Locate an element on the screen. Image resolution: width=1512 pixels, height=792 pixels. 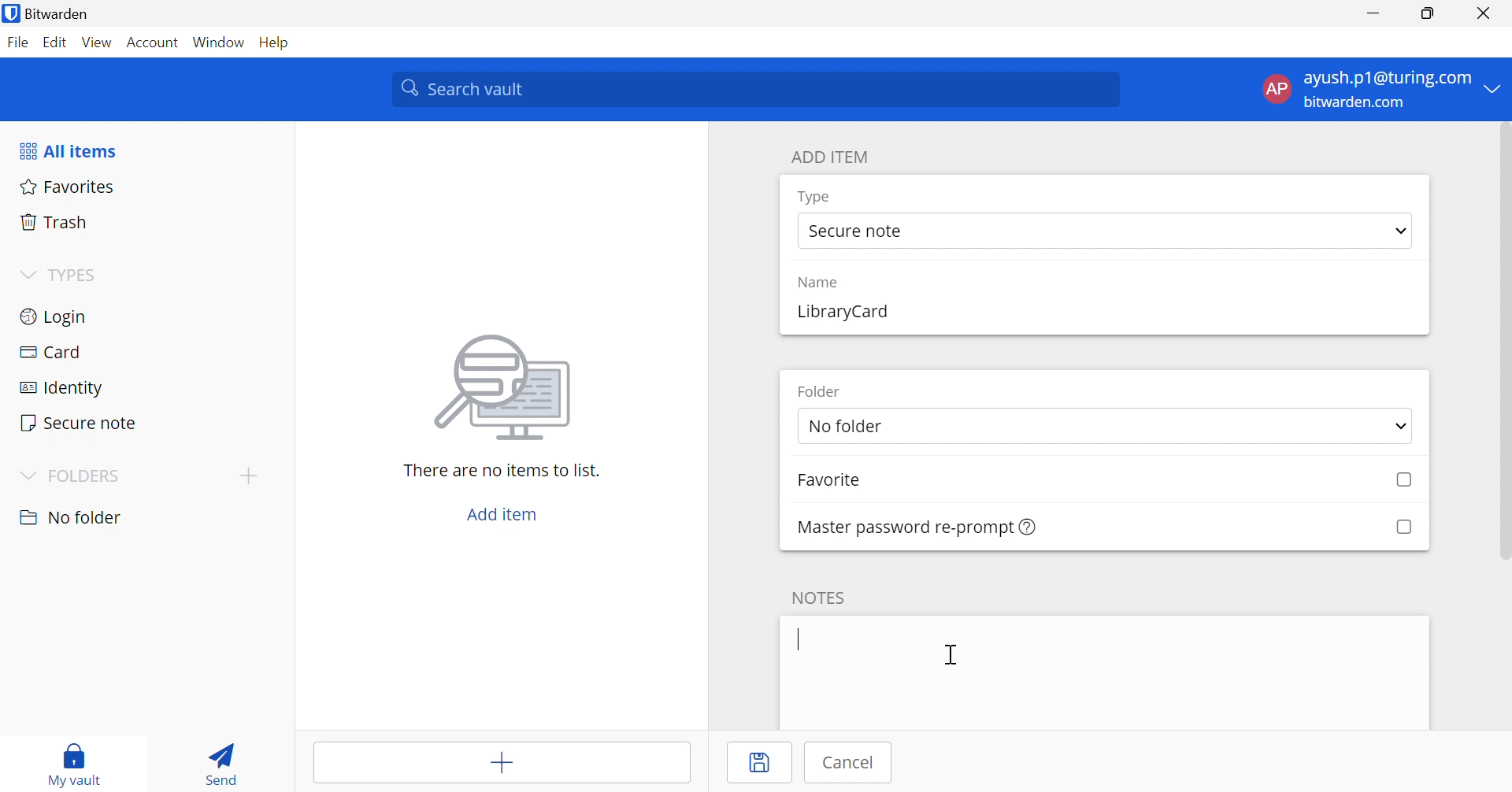
Cursor is located at coordinates (951, 654).